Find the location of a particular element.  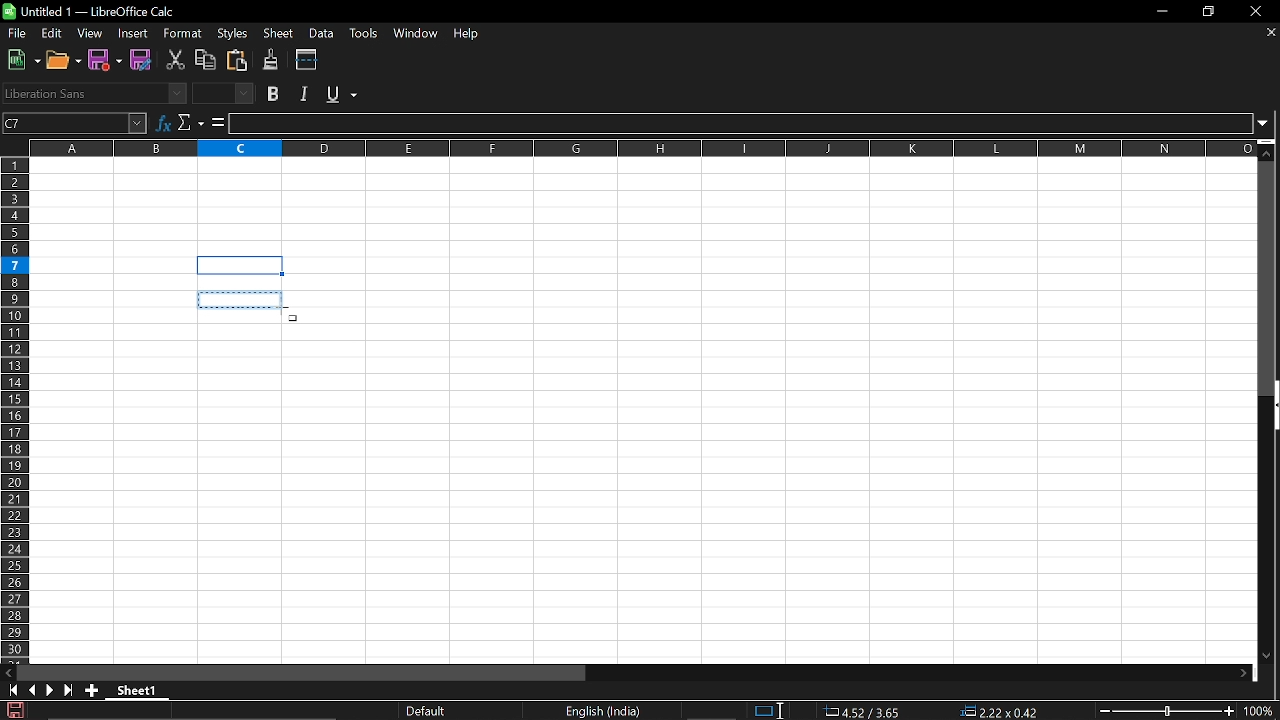

Name box is located at coordinates (75, 122).